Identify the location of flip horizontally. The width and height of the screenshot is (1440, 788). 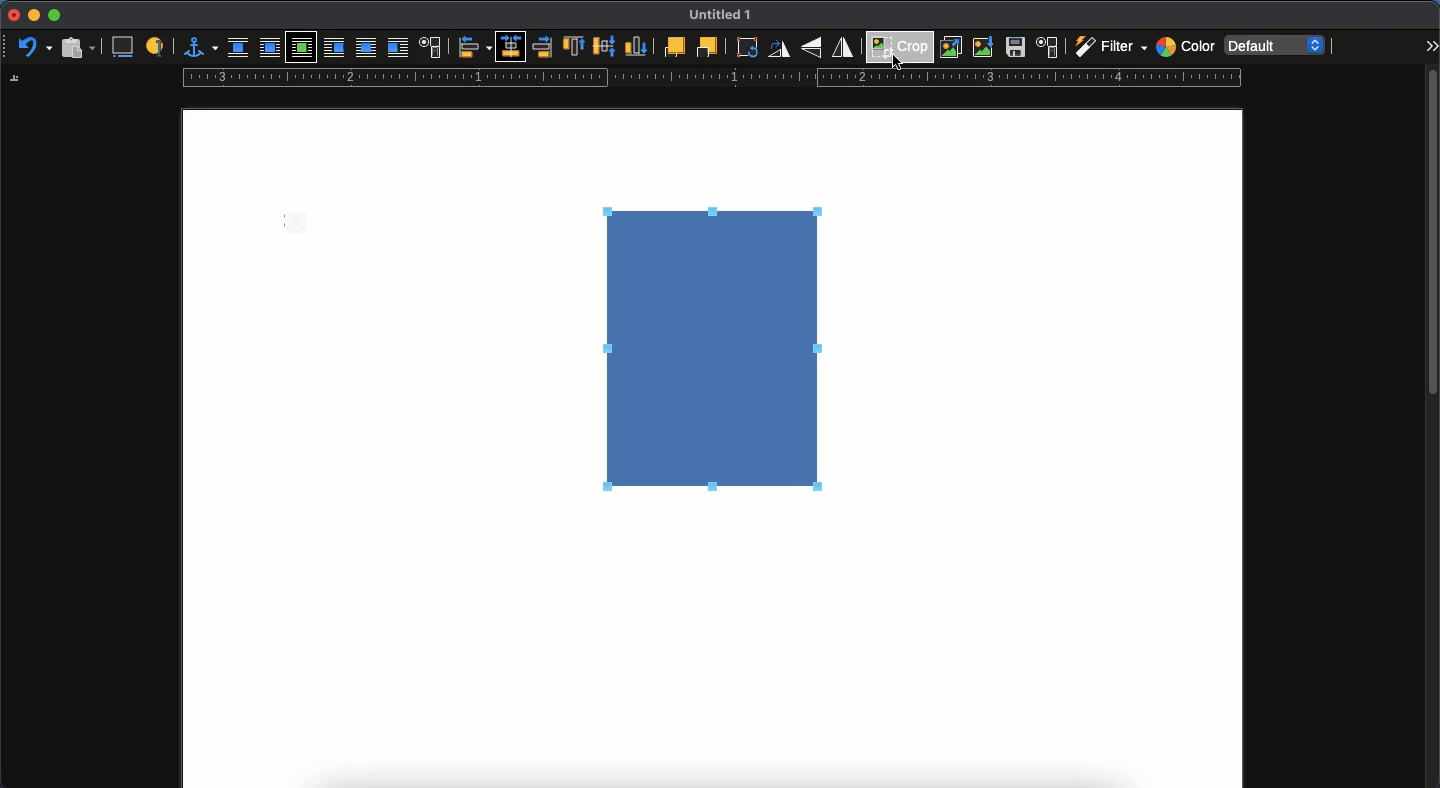
(844, 46).